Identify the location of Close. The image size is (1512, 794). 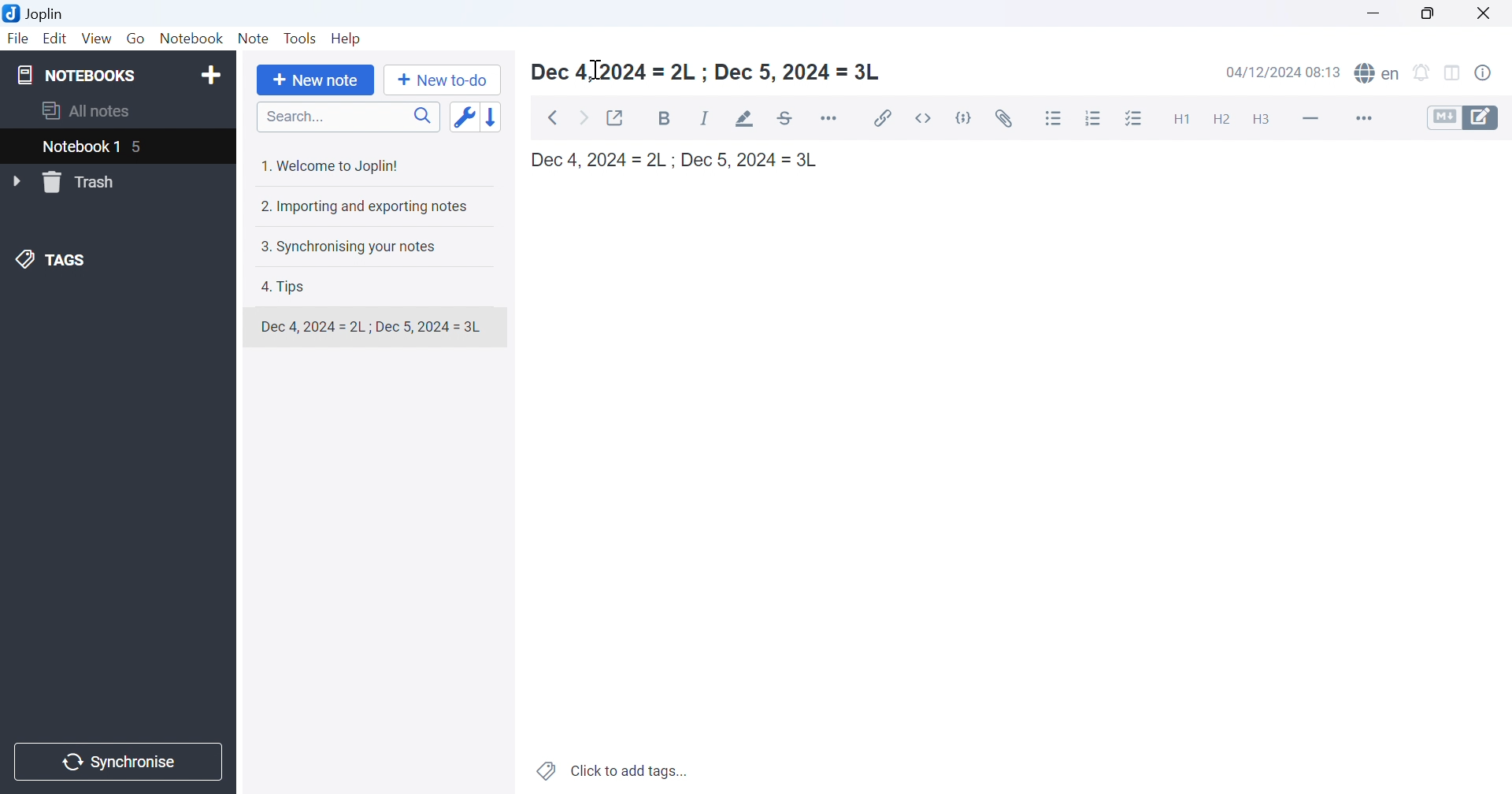
(1489, 13).